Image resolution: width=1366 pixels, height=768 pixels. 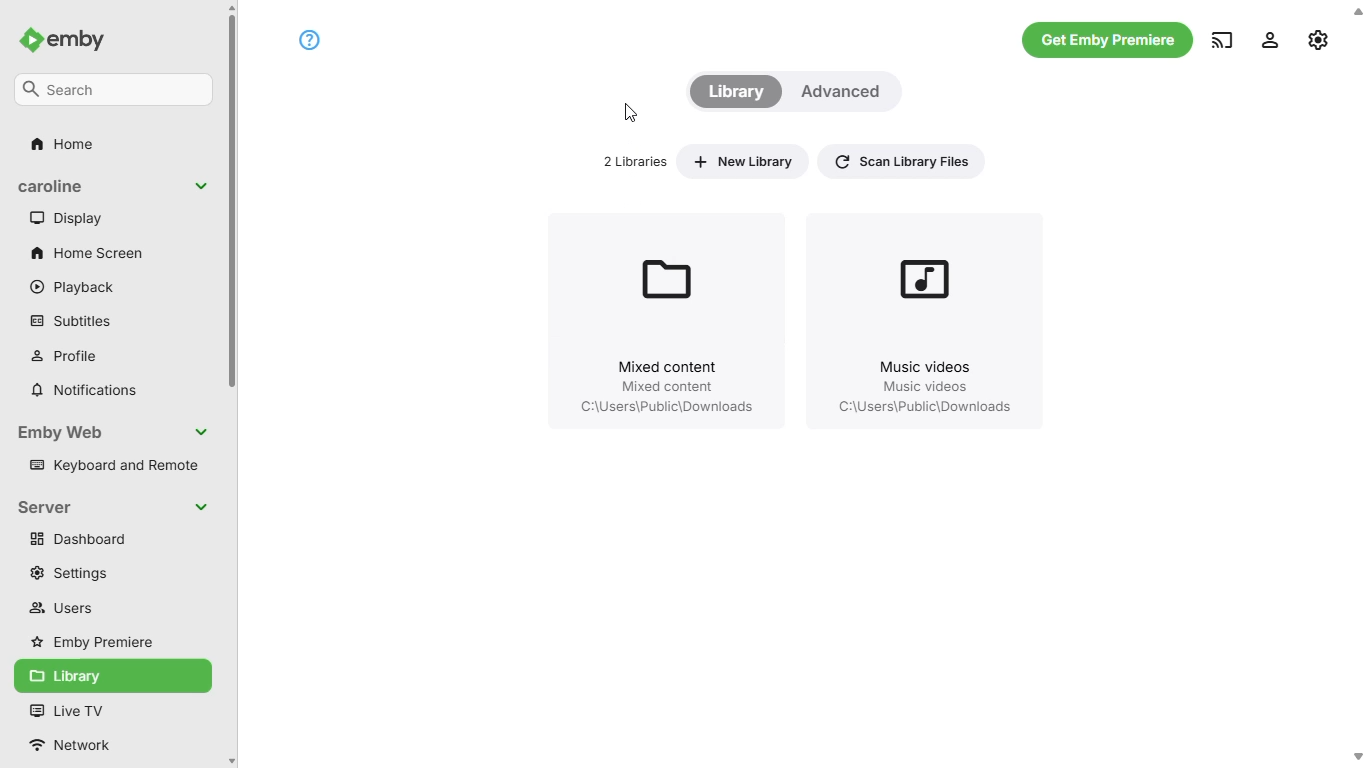 I want to click on play on another device, so click(x=1223, y=39).